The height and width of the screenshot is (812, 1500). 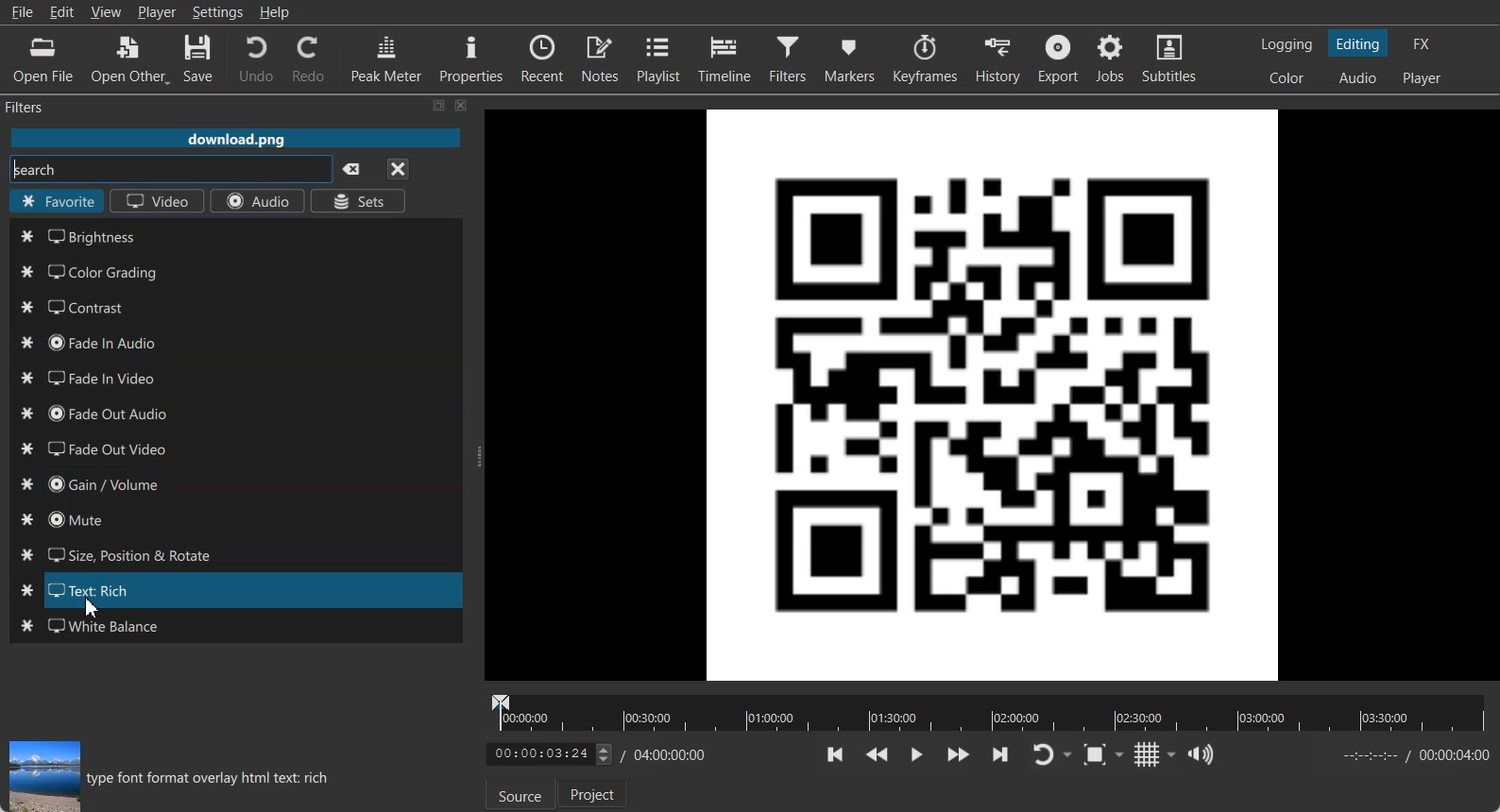 I want to click on Size, Position & Rotate, so click(x=235, y=555).